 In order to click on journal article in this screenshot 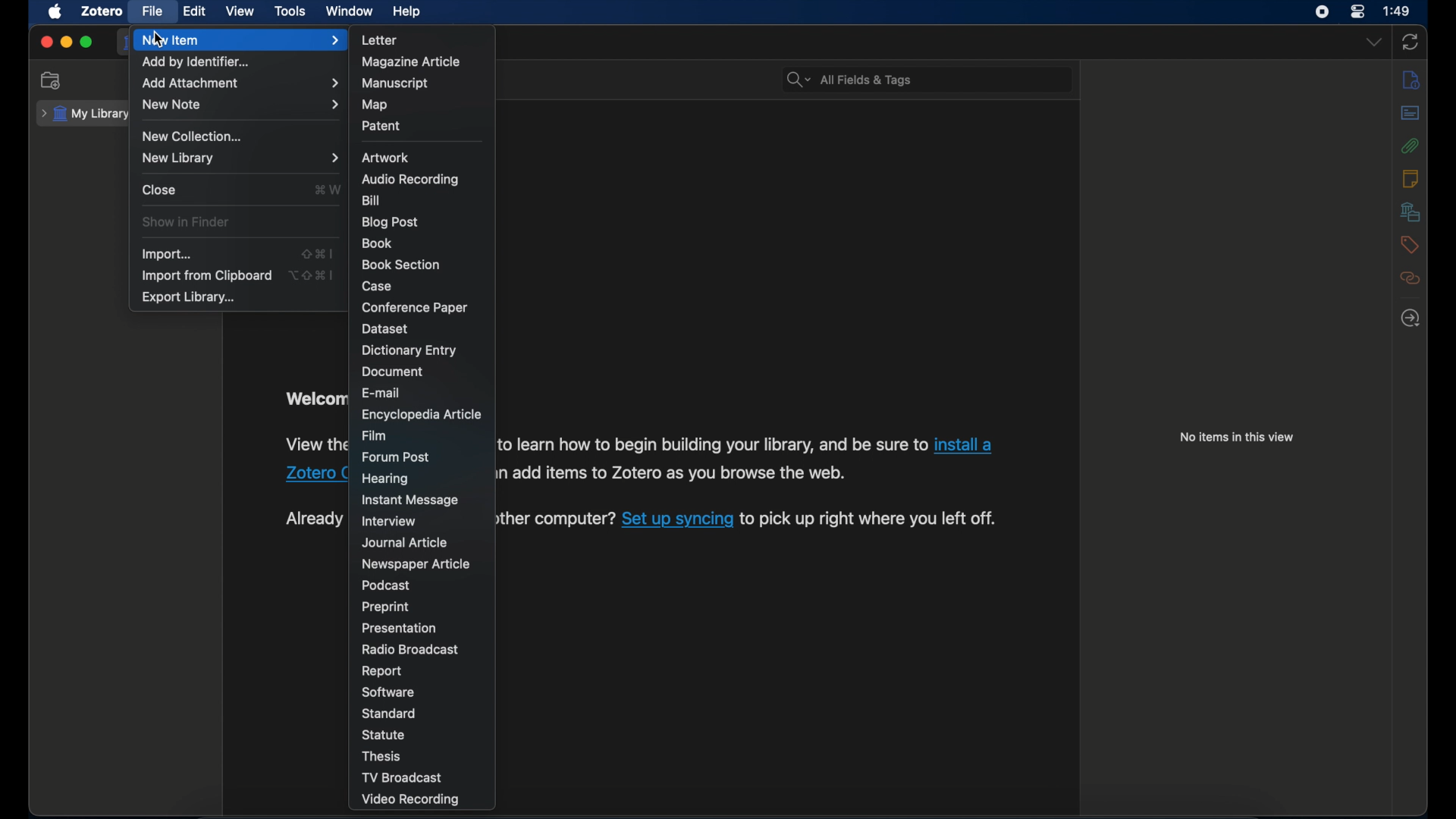, I will do `click(406, 544)`.